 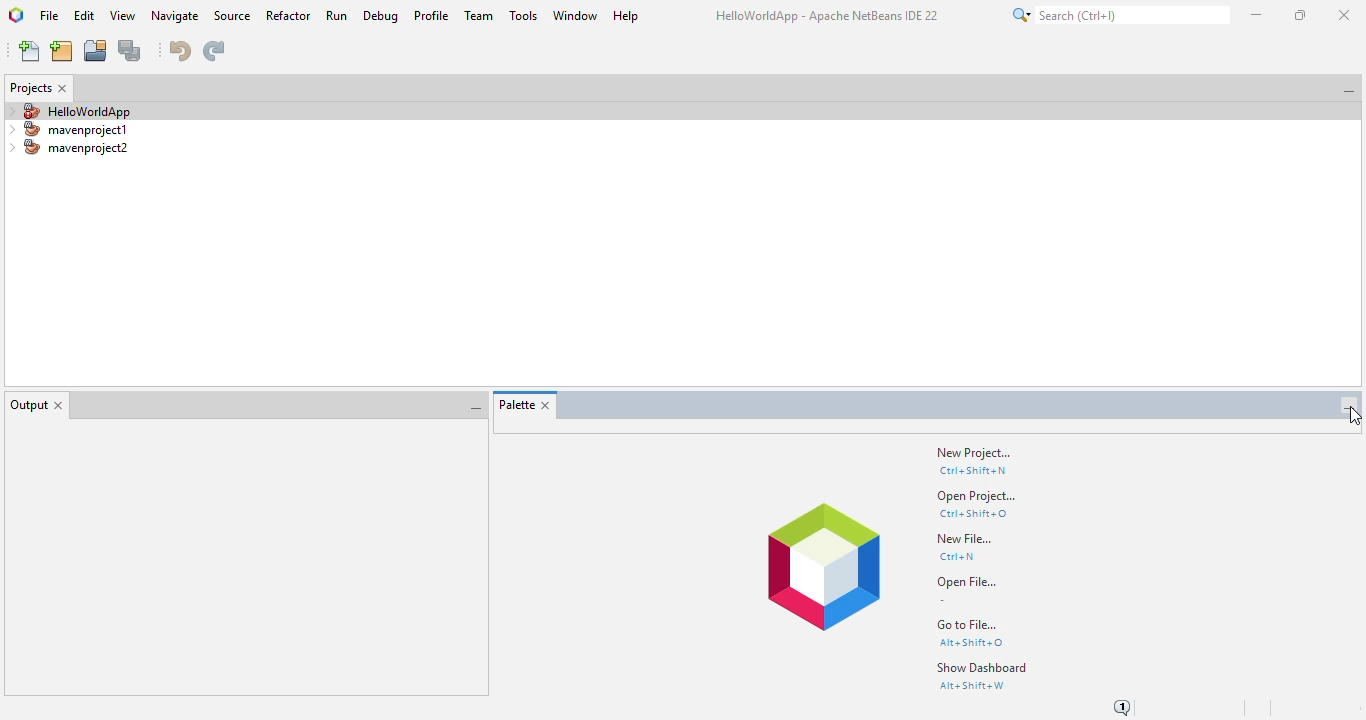 What do you see at coordinates (1299, 15) in the screenshot?
I see `maximize` at bounding box center [1299, 15].